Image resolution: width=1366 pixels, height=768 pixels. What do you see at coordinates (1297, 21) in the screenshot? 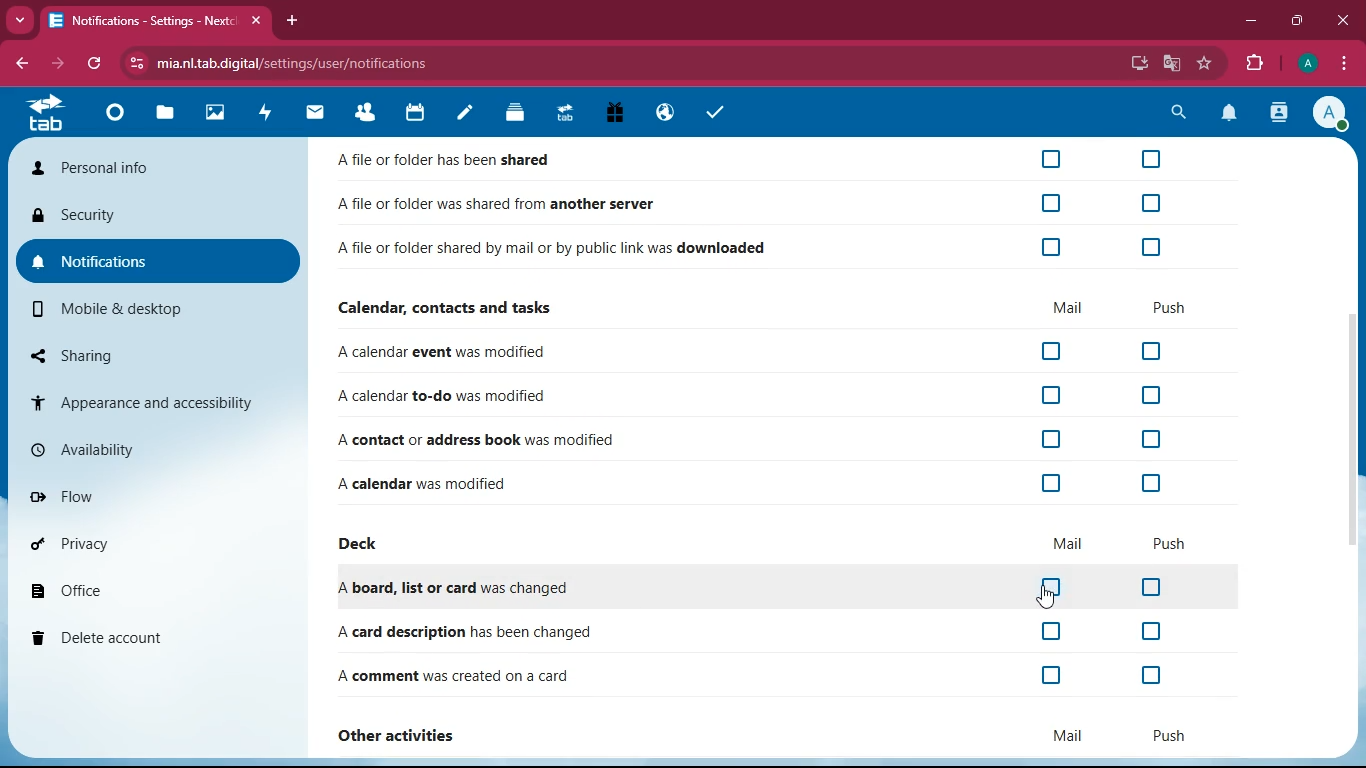
I see `maximize` at bounding box center [1297, 21].